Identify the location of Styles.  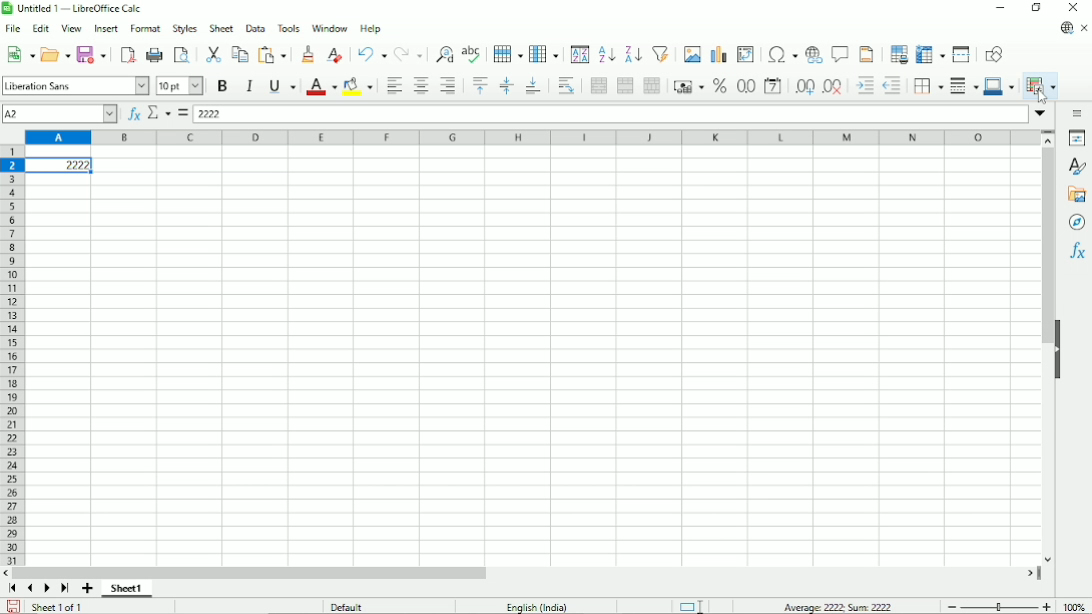
(184, 28).